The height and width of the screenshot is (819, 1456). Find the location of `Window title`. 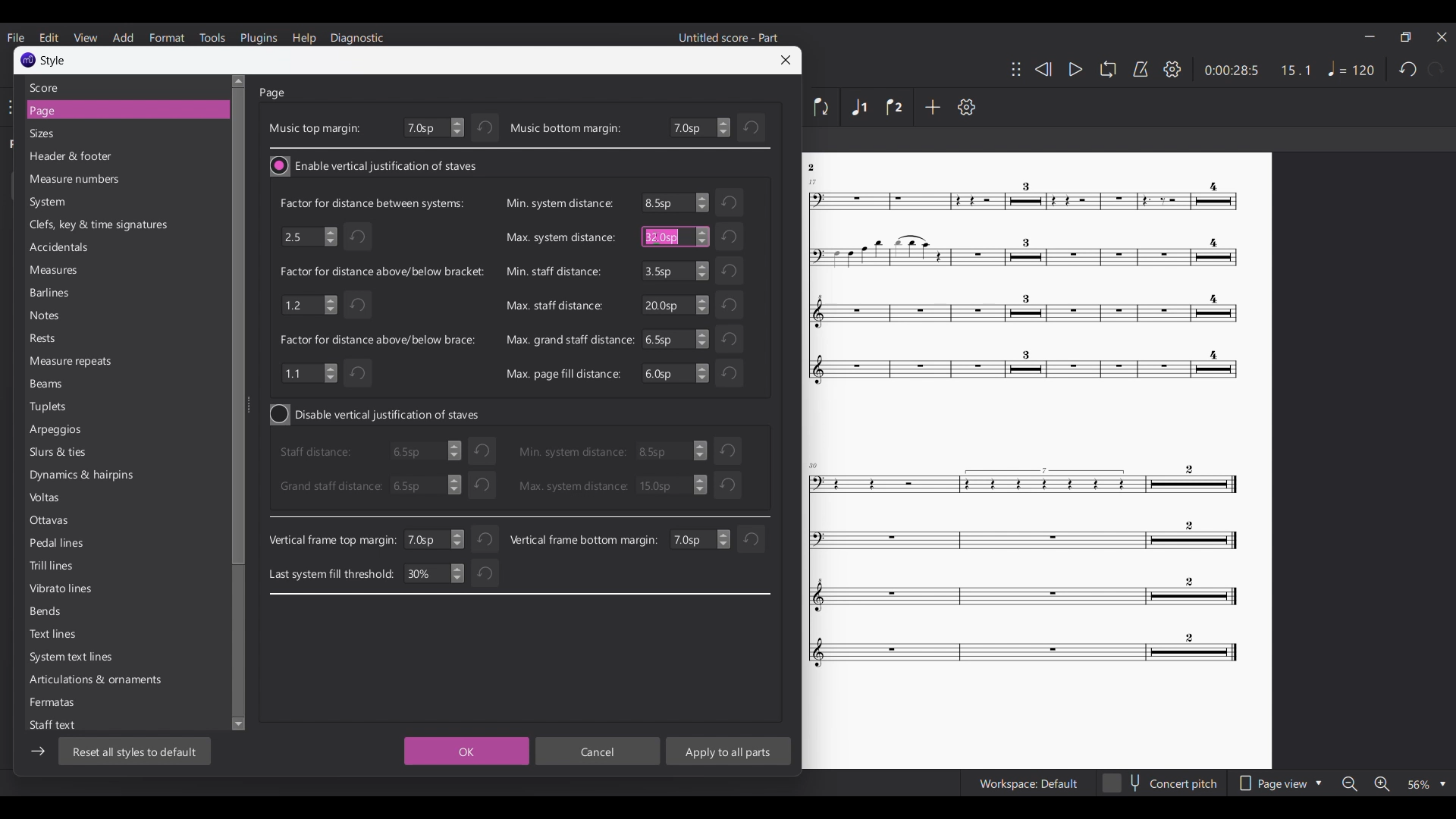

Window title is located at coordinates (41, 60).